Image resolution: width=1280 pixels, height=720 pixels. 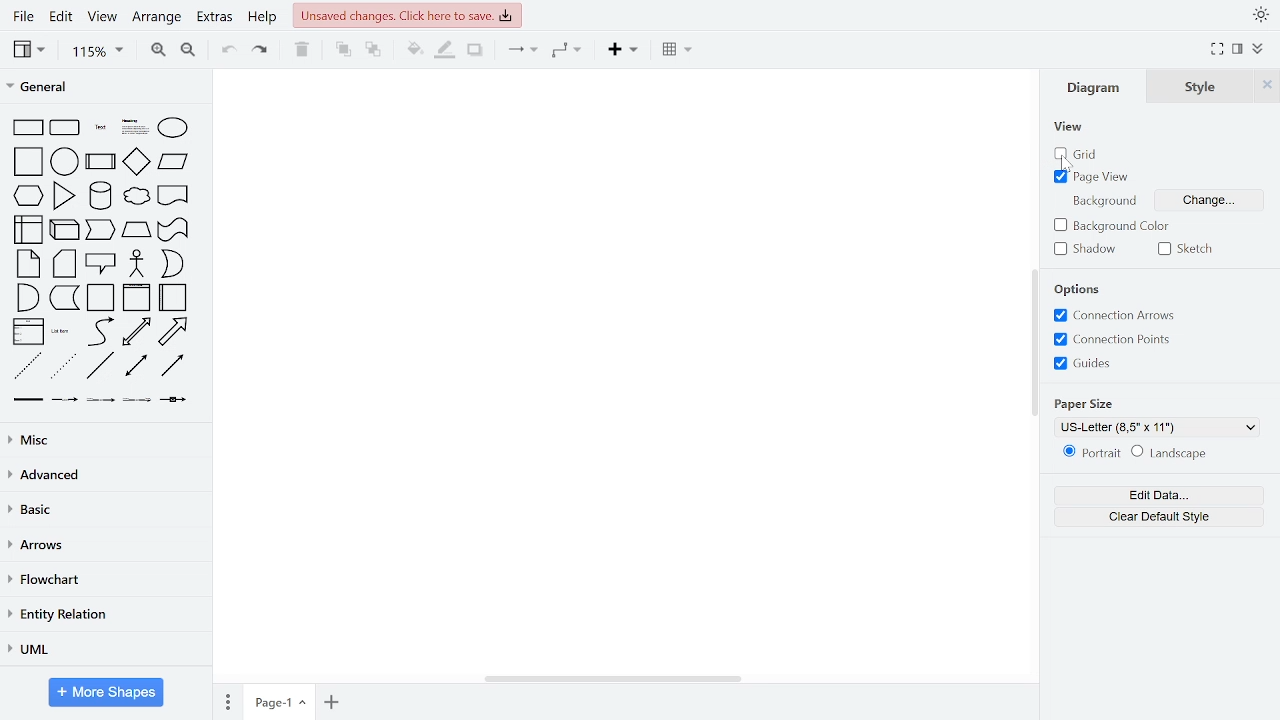 What do you see at coordinates (101, 196) in the screenshot?
I see `cylinder` at bounding box center [101, 196].